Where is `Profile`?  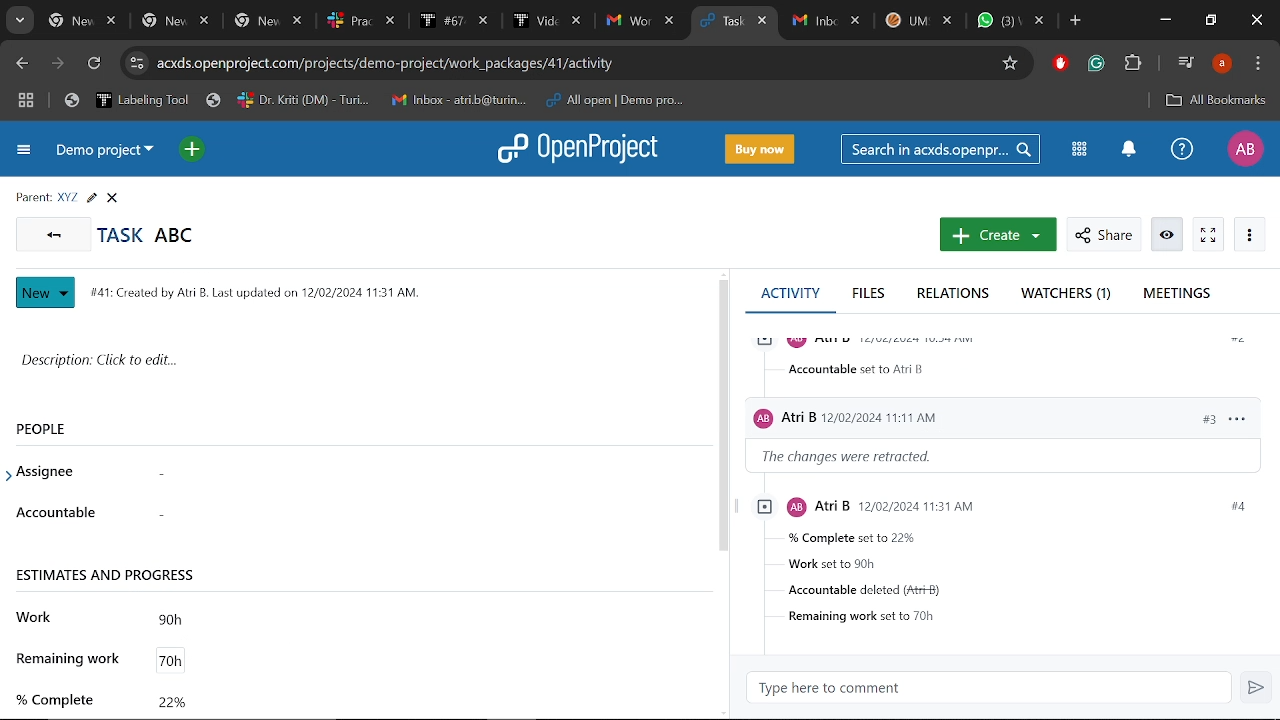
Profile is located at coordinates (1221, 64).